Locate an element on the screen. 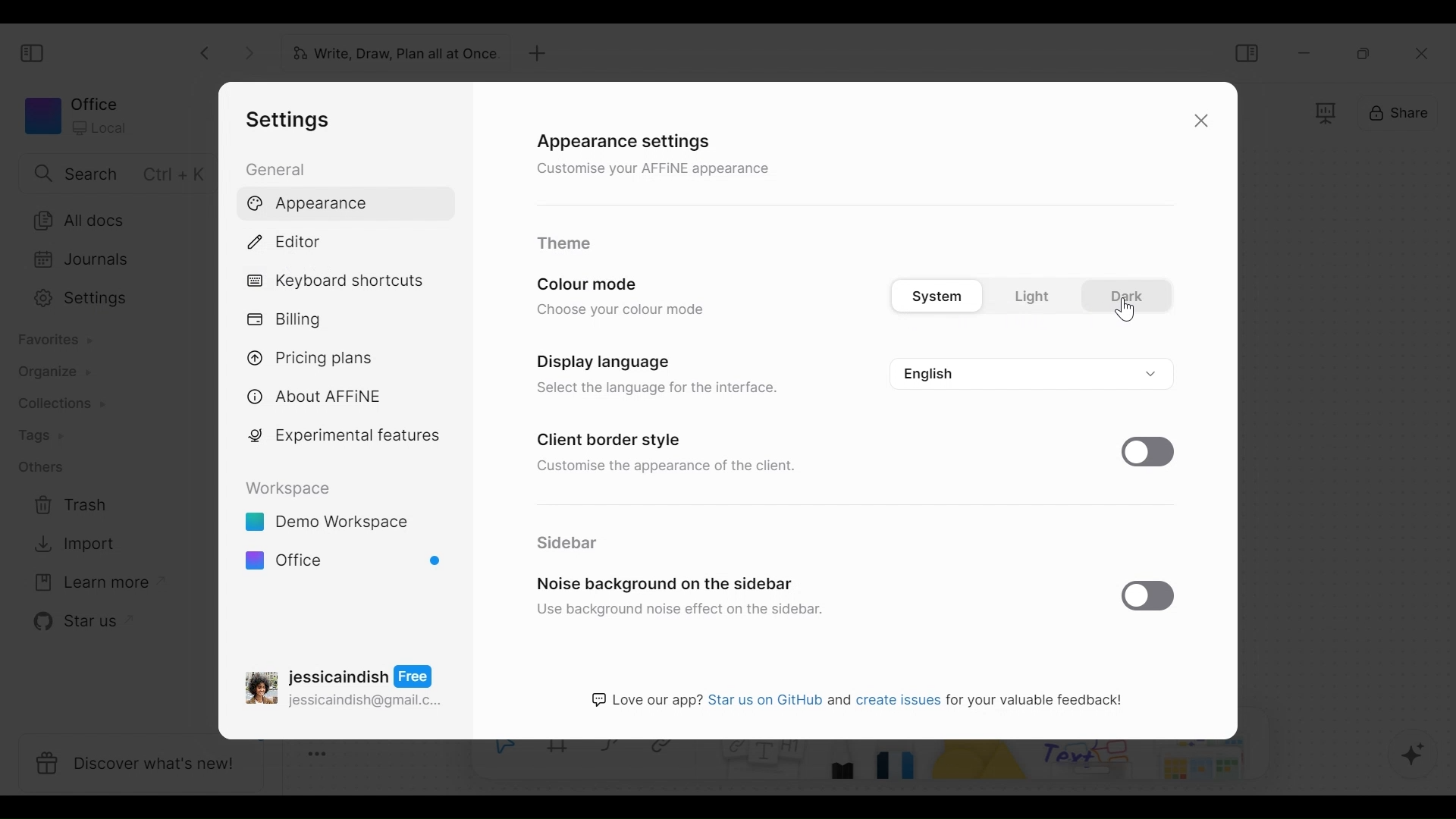 The height and width of the screenshot is (819, 1456). Import is located at coordinates (77, 544).